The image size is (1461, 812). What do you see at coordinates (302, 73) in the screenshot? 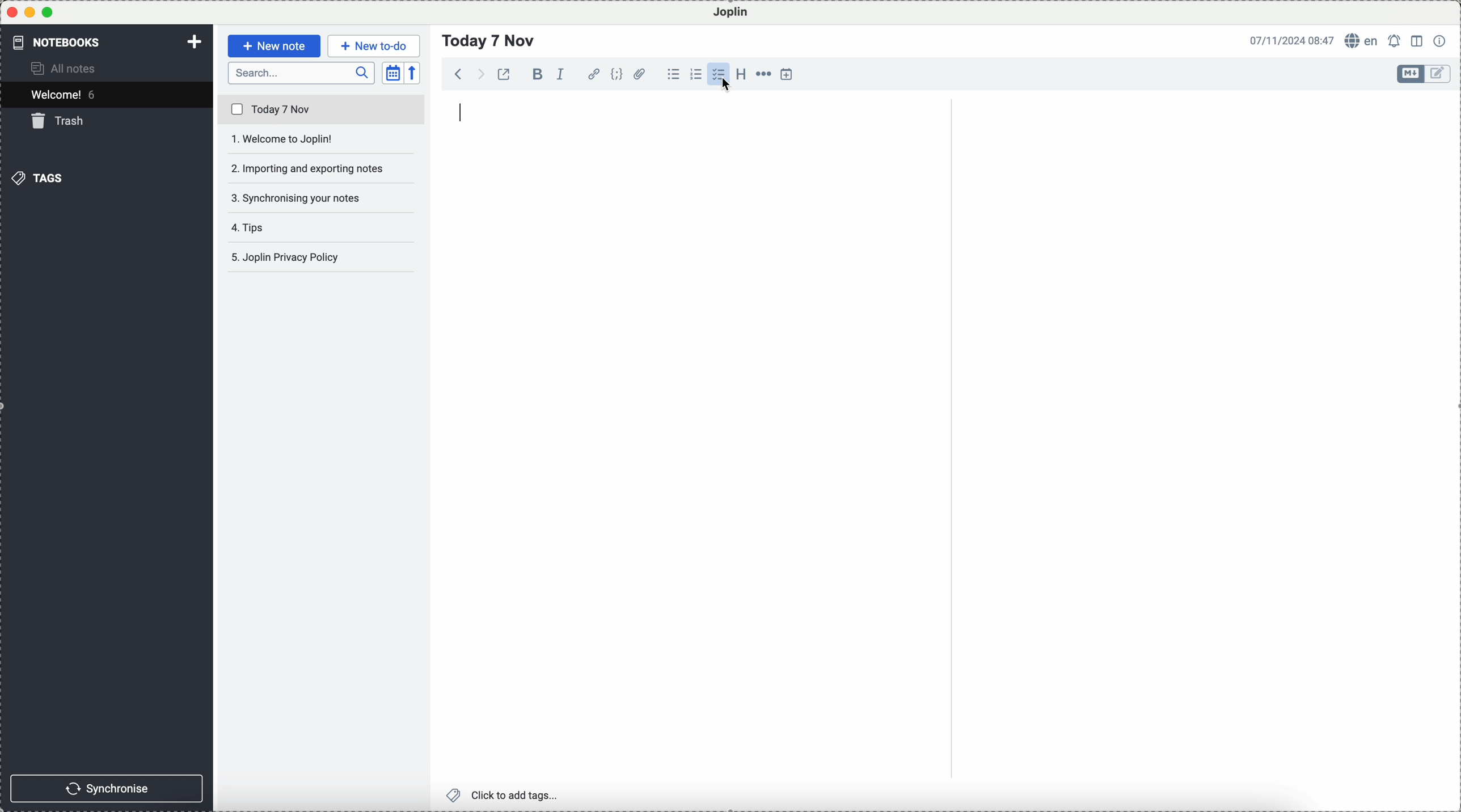
I see `search bar` at bounding box center [302, 73].